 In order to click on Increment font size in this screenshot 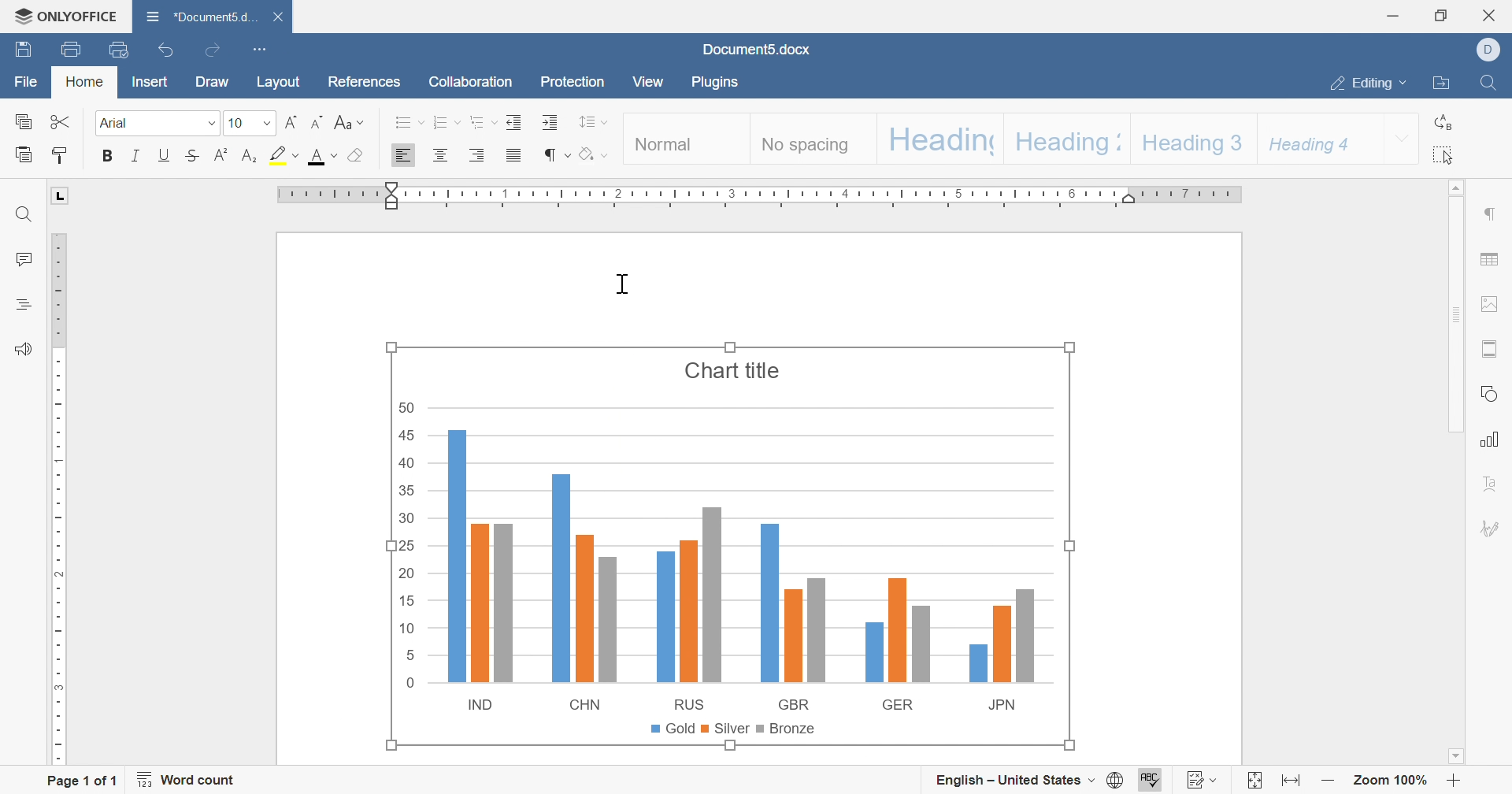, I will do `click(292, 123)`.